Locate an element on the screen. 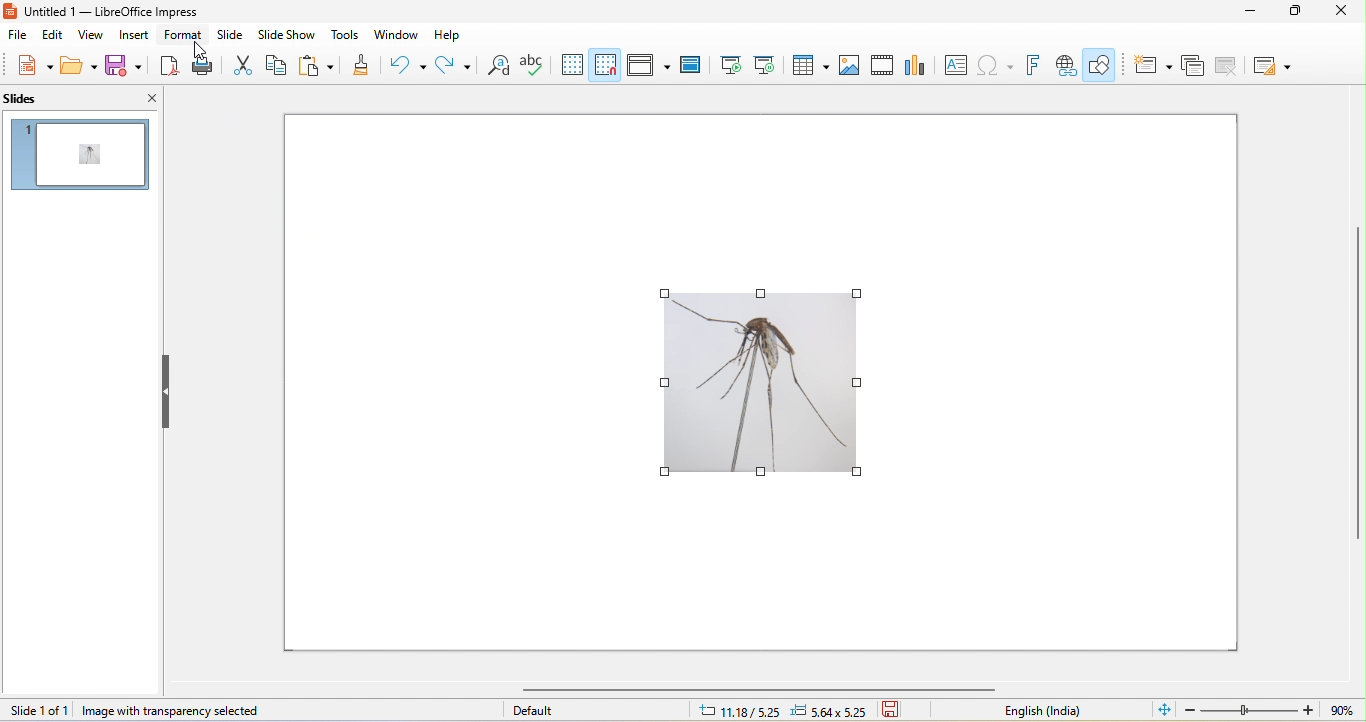 This screenshot has width=1366, height=722. minimize is located at coordinates (1256, 12).